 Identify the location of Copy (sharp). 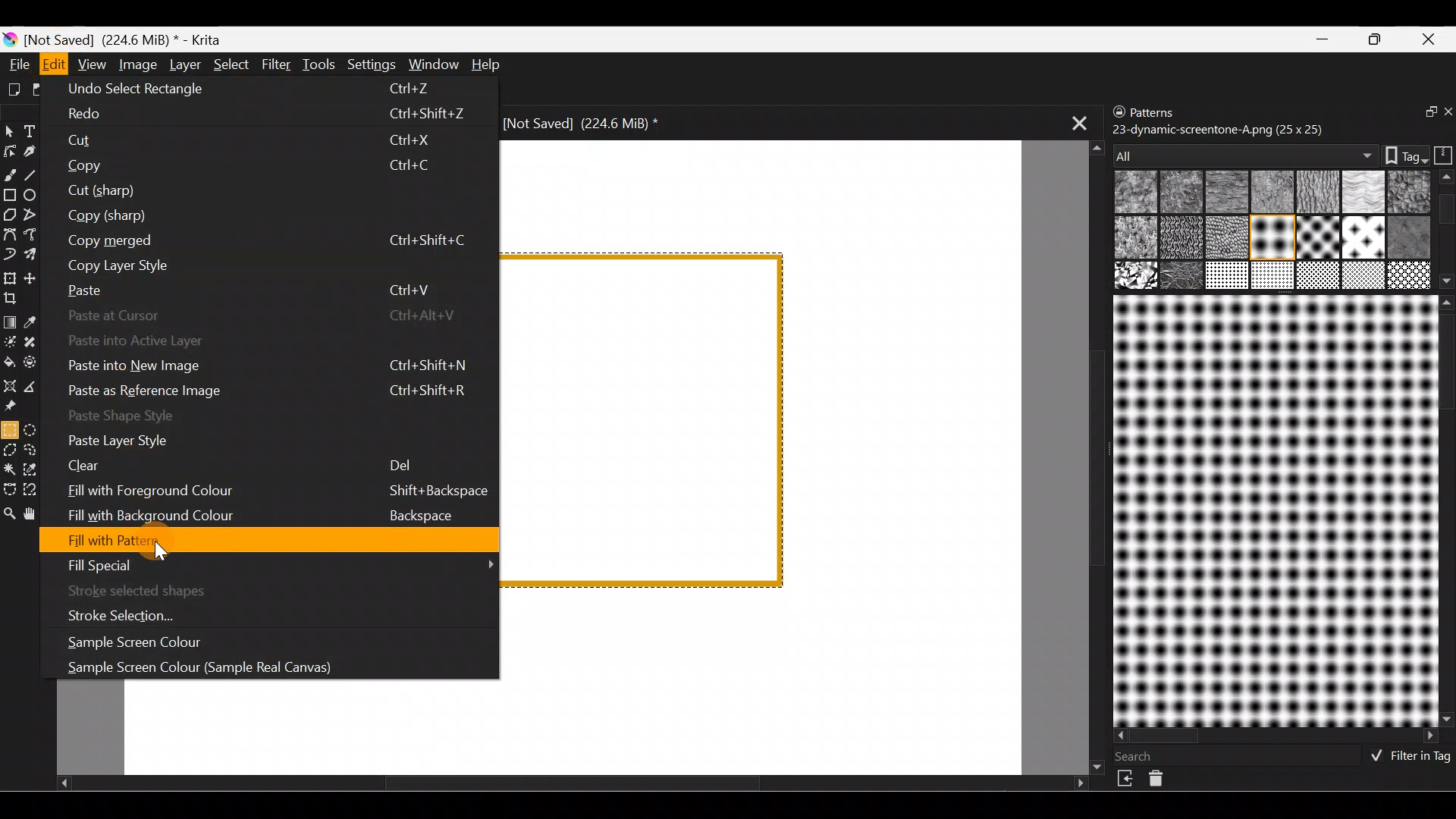
(255, 216).